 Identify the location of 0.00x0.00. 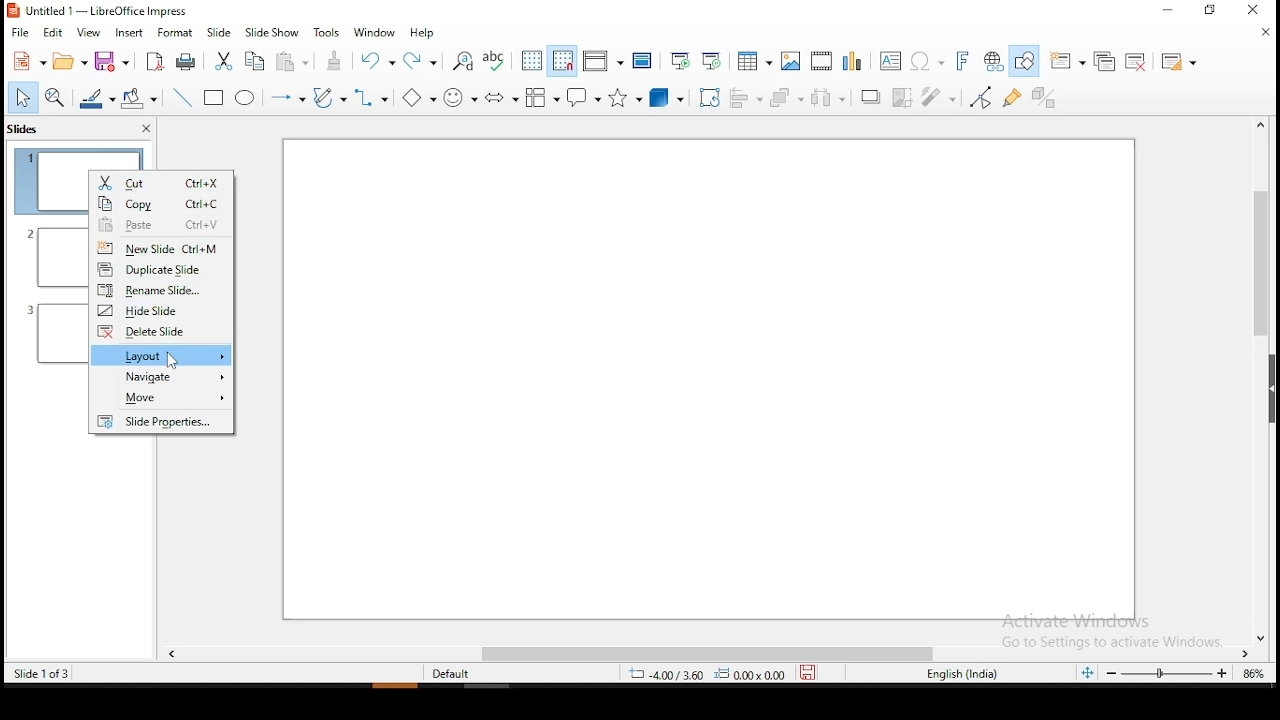
(751, 675).